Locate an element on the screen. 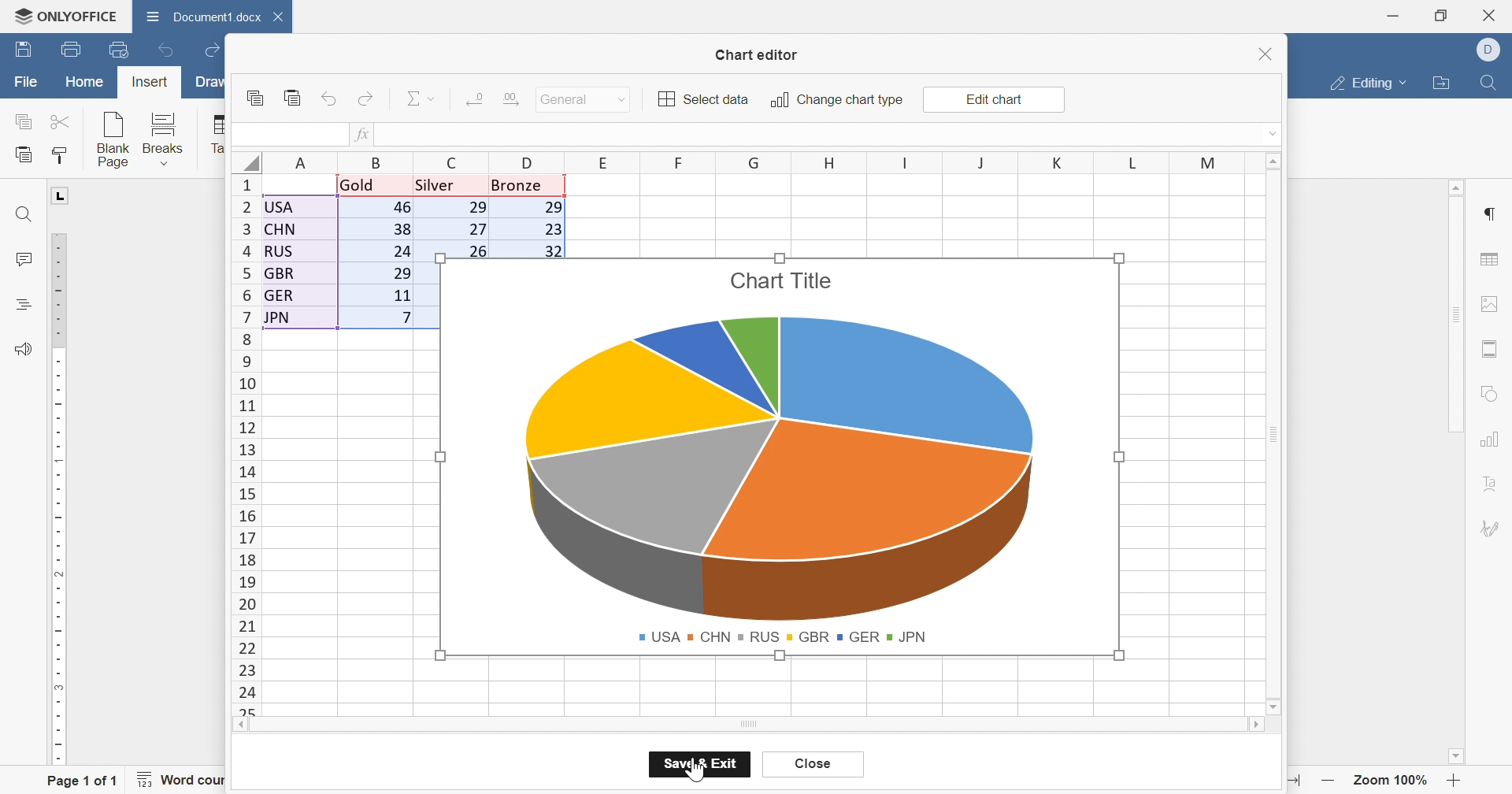 Image resolution: width=1512 pixels, height=794 pixels. Drop down is located at coordinates (1274, 137).